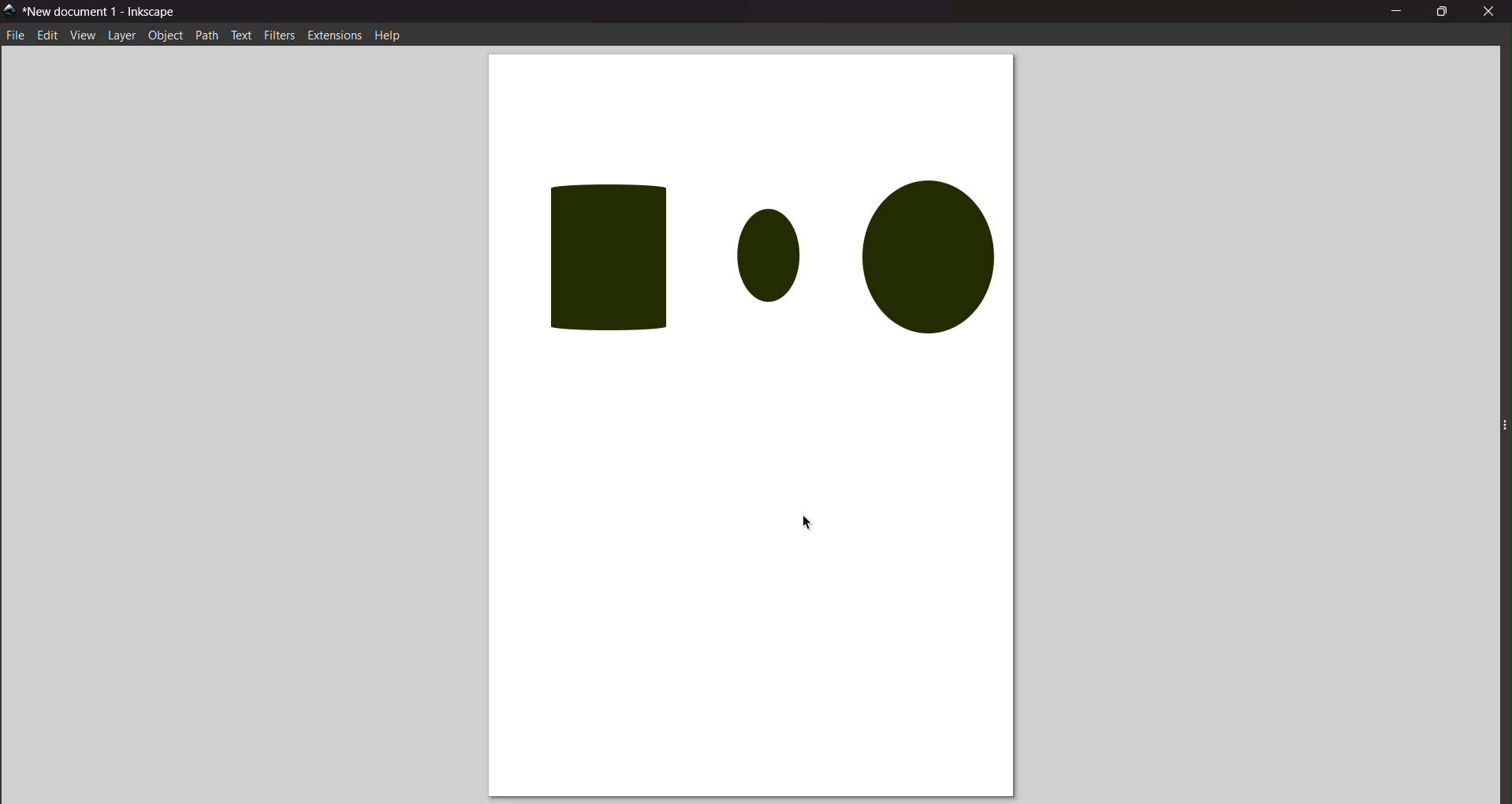 Image resolution: width=1512 pixels, height=804 pixels. What do you see at coordinates (105, 14) in the screenshot?
I see `title` at bounding box center [105, 14].